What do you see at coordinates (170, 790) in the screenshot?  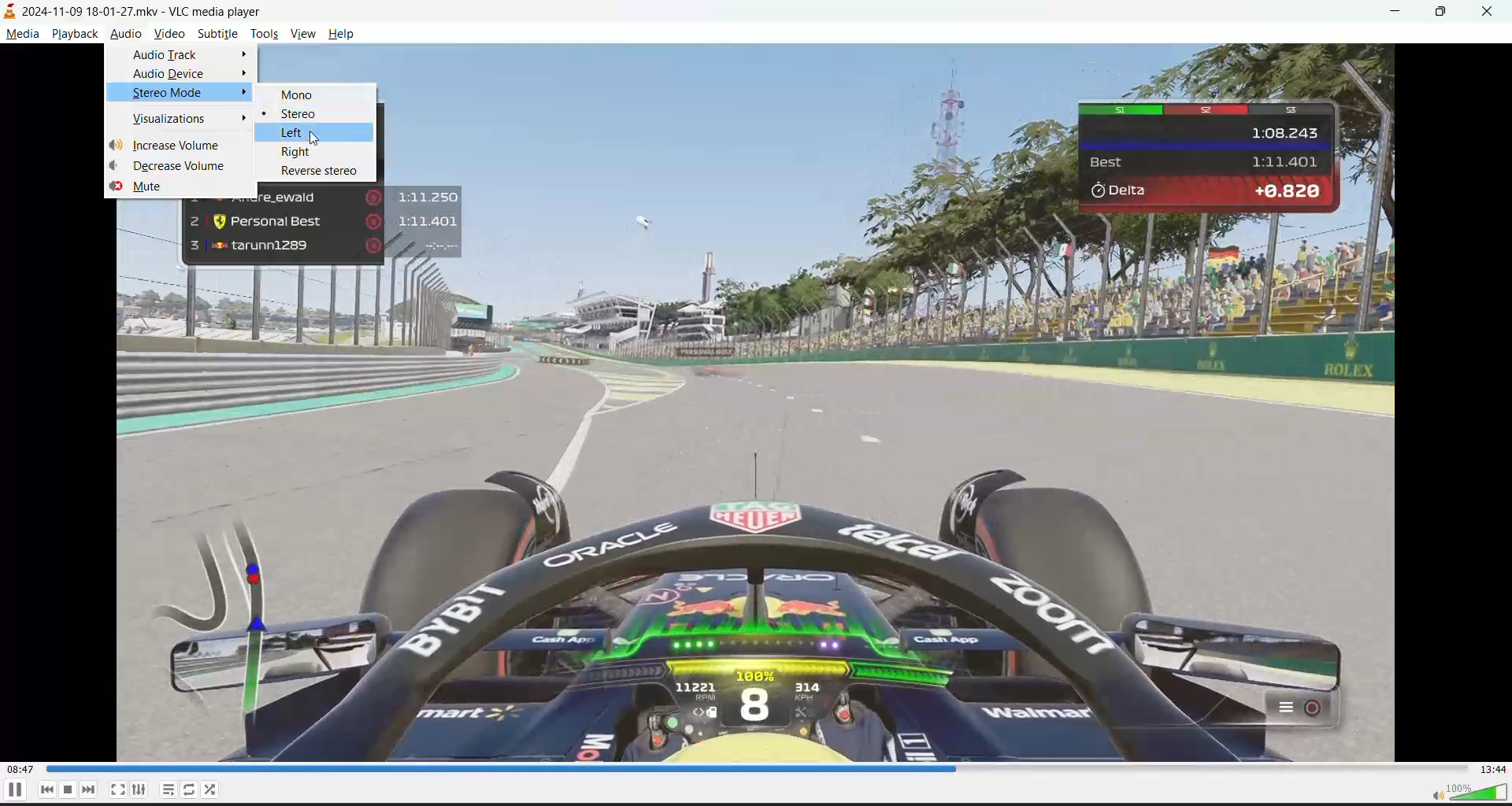 I see `playlists` at bounding box center [170, 790].